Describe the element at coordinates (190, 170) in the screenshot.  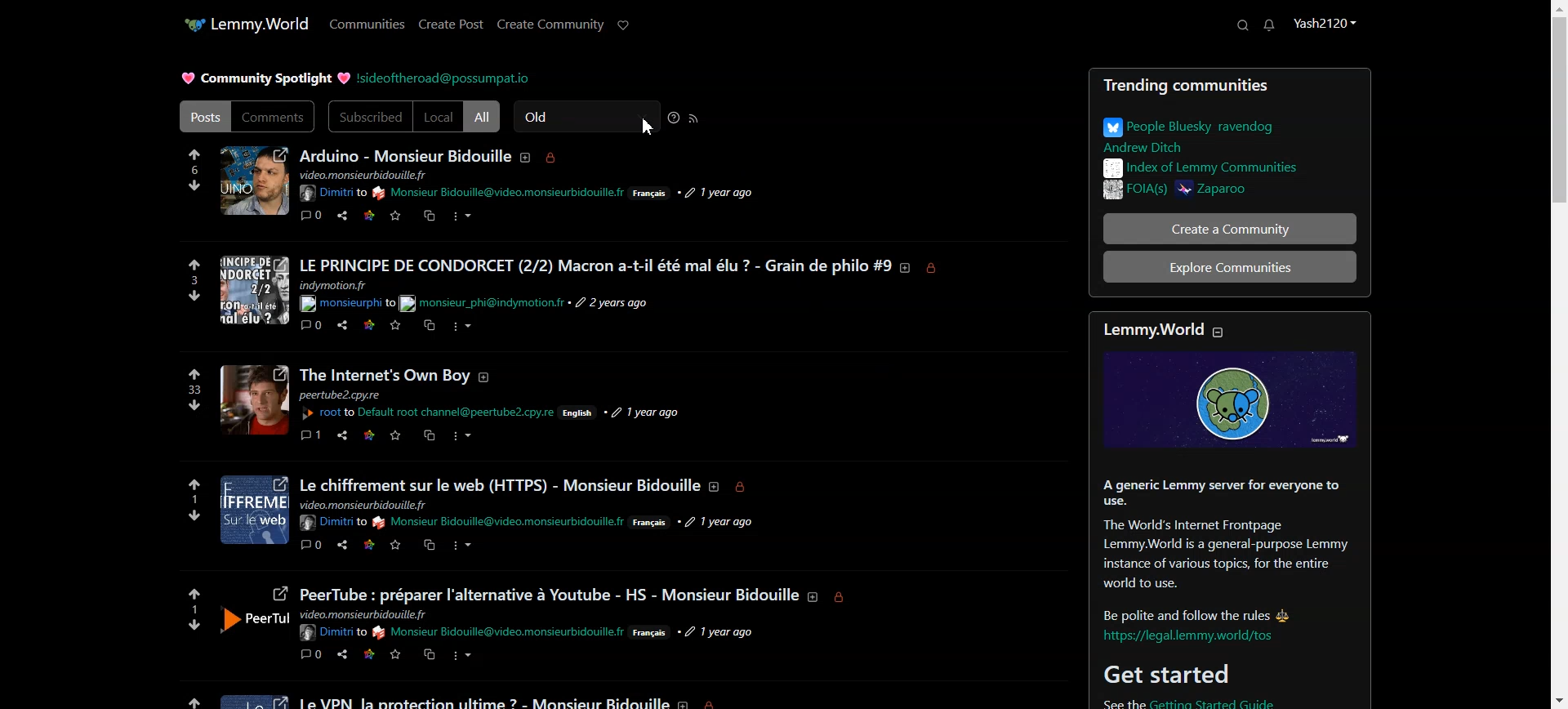
I see `6` at that location.